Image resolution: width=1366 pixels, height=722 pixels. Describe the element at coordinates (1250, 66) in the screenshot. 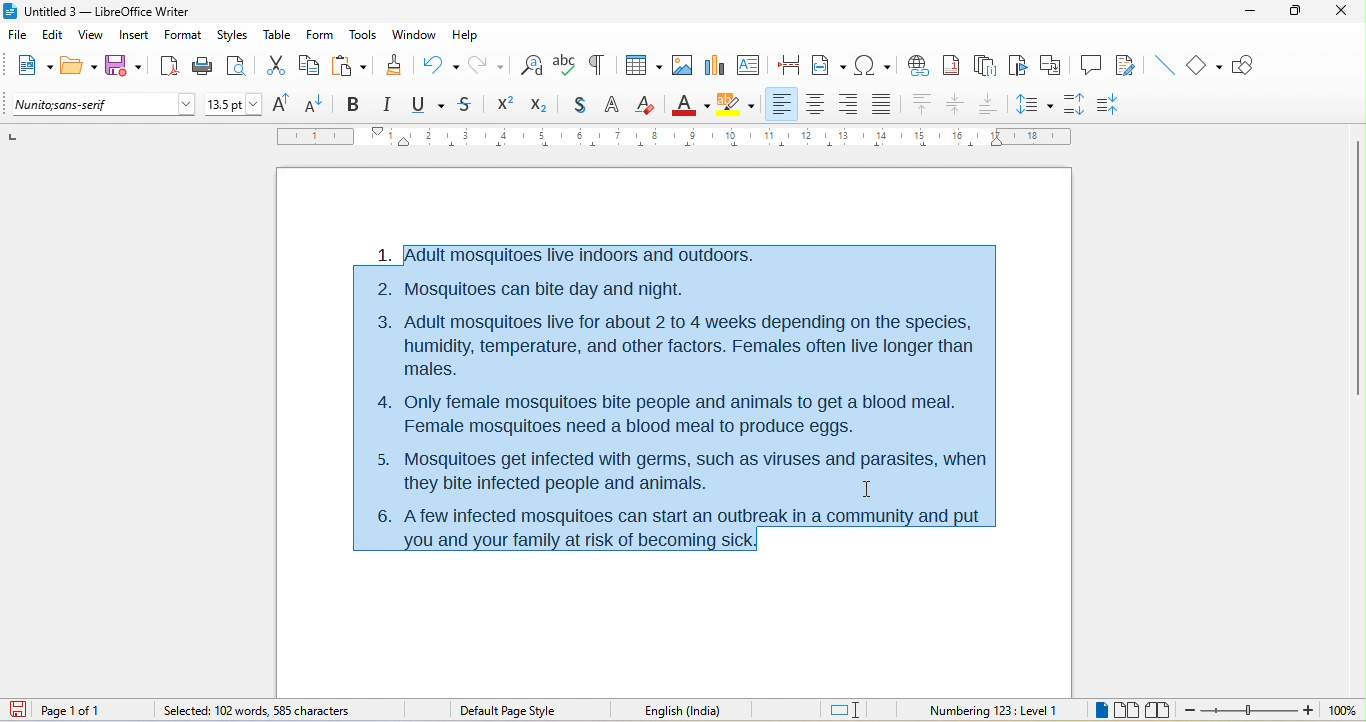

I see `show draw function` at that location.